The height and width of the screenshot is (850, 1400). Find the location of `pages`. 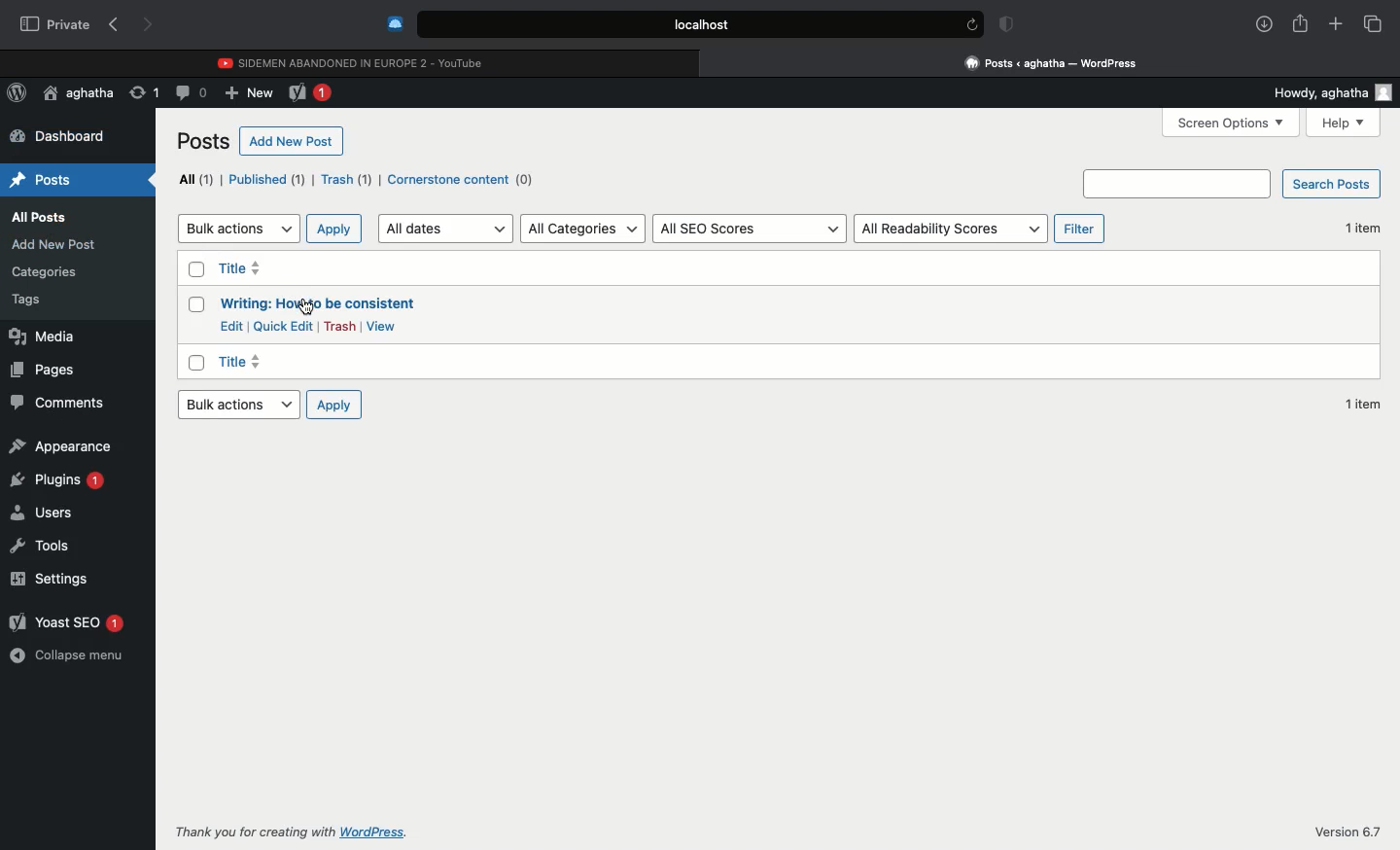

pages is located at coordinates (61, 372).